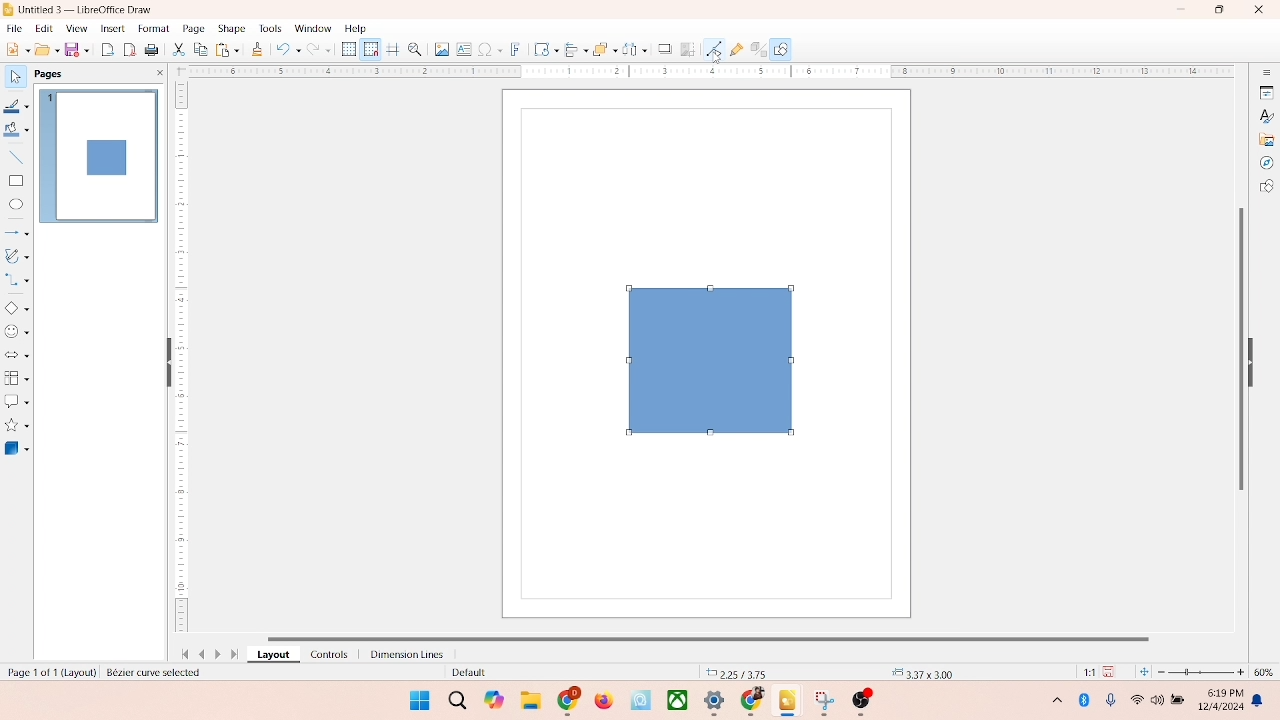 The height and width of the screenshot is (720, 1280). Describe the element at coordinates (179, 51) in the screenshot. I see `cut` at that location.